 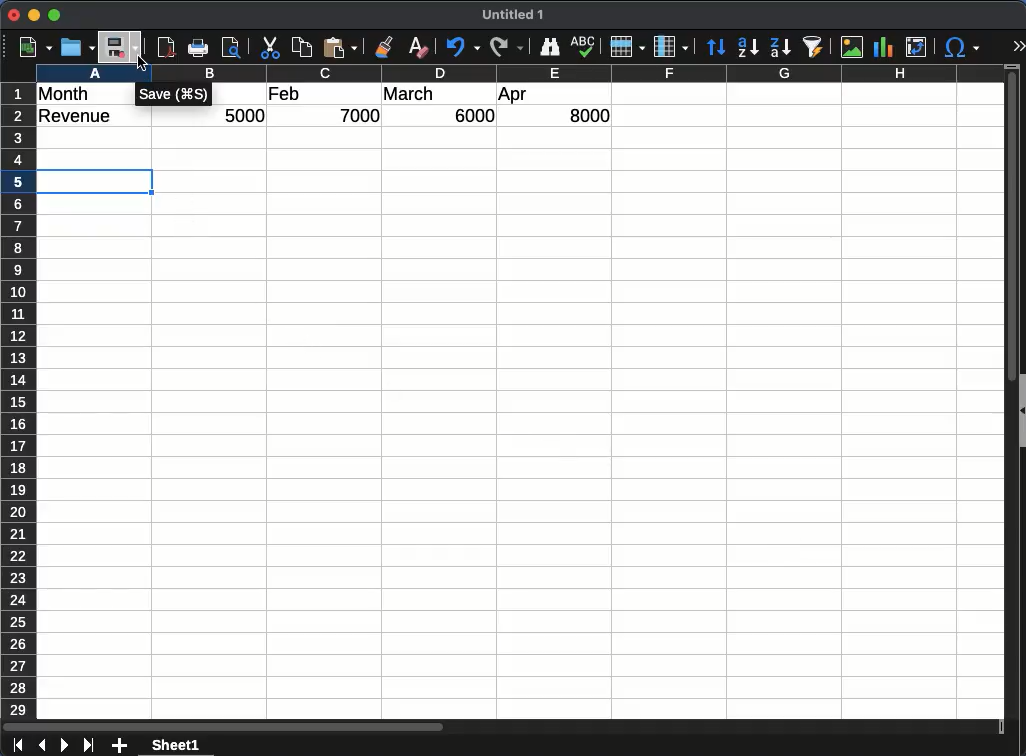 I want to click on march, so click(x=409, y=94).